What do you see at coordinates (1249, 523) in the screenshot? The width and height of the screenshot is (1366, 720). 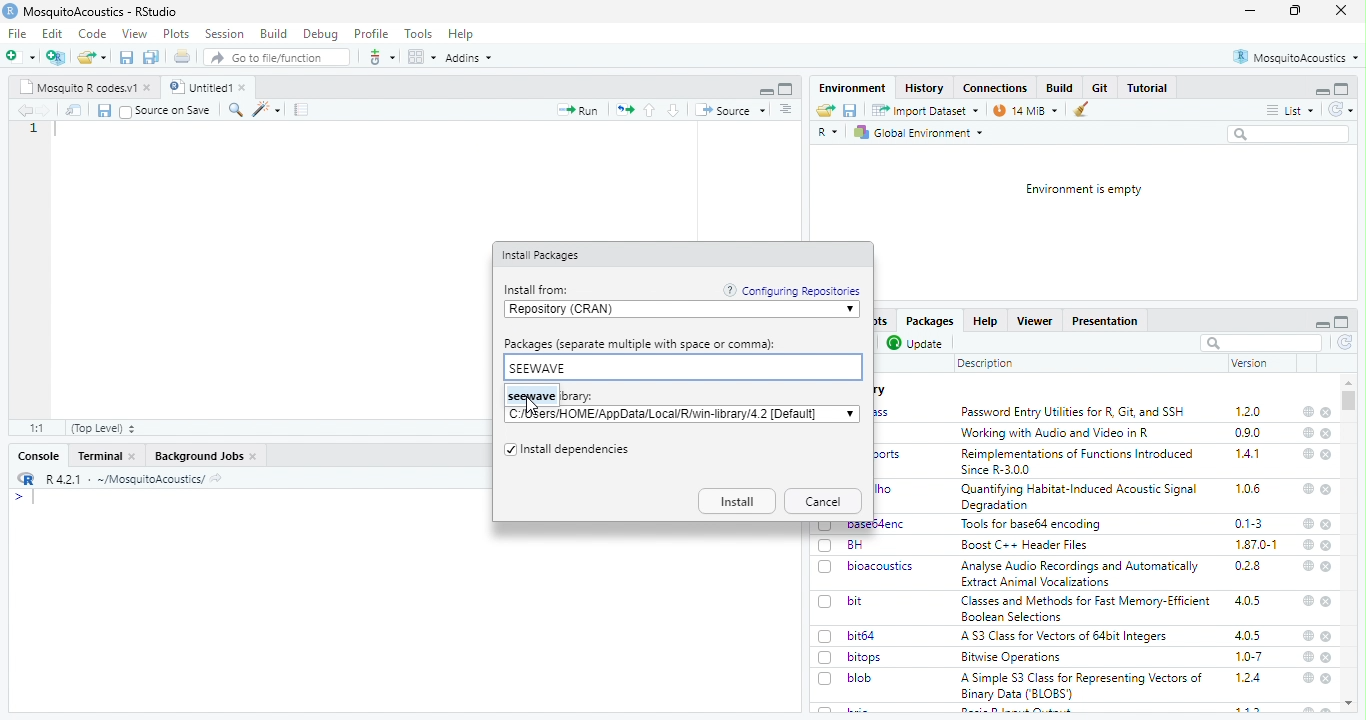 I see `01-3` at bounding box center [1249, 523].